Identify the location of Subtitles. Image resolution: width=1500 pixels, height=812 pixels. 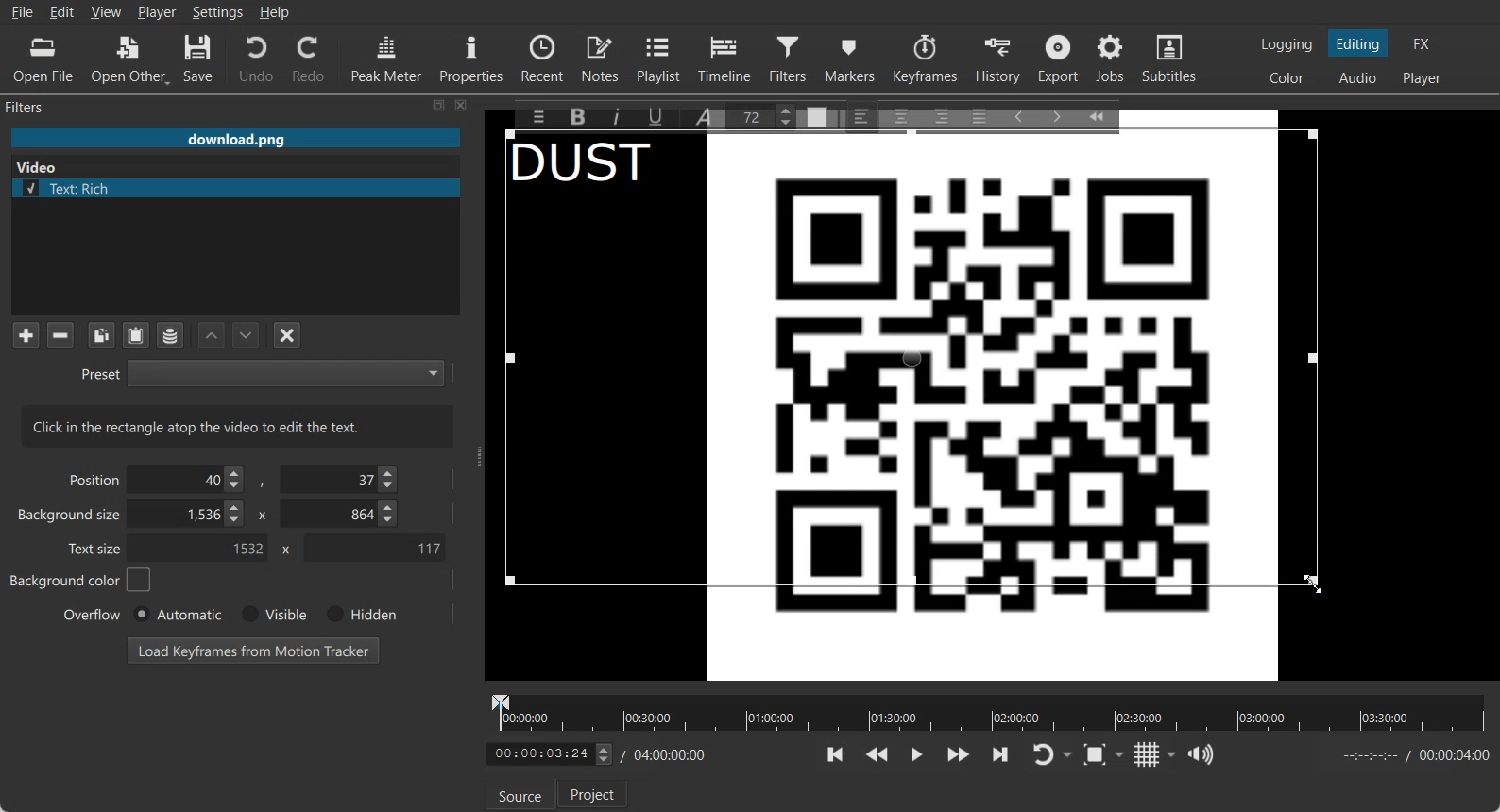
(1170, 59).